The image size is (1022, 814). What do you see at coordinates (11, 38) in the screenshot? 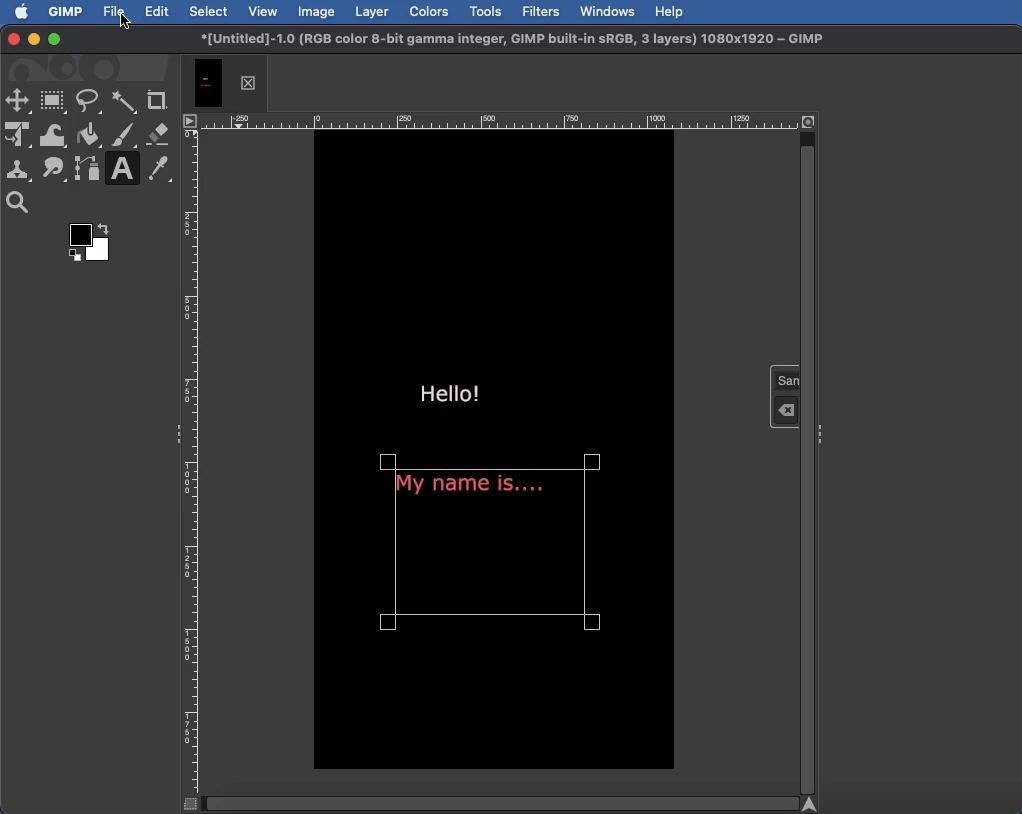
I see `Close` at bounding box center [11, 38].